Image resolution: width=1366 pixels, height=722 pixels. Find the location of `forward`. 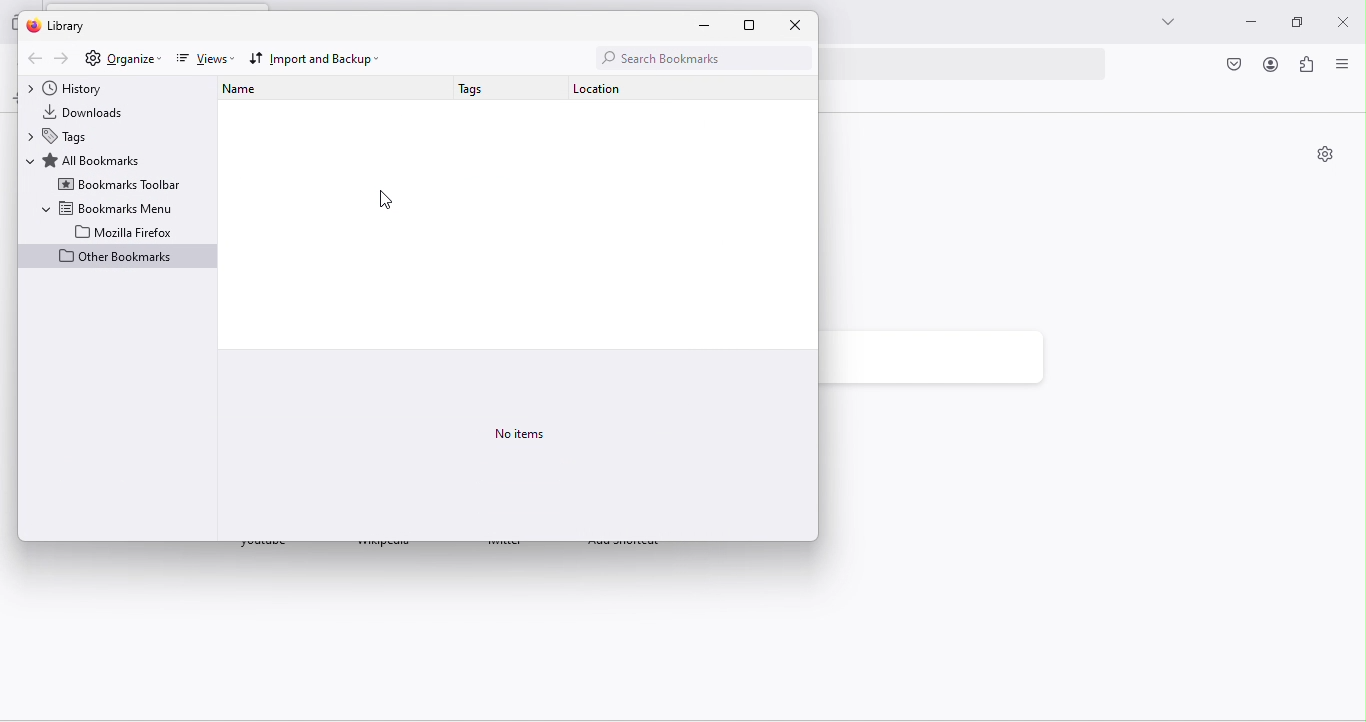

forward is located at coordinates (60, 59).